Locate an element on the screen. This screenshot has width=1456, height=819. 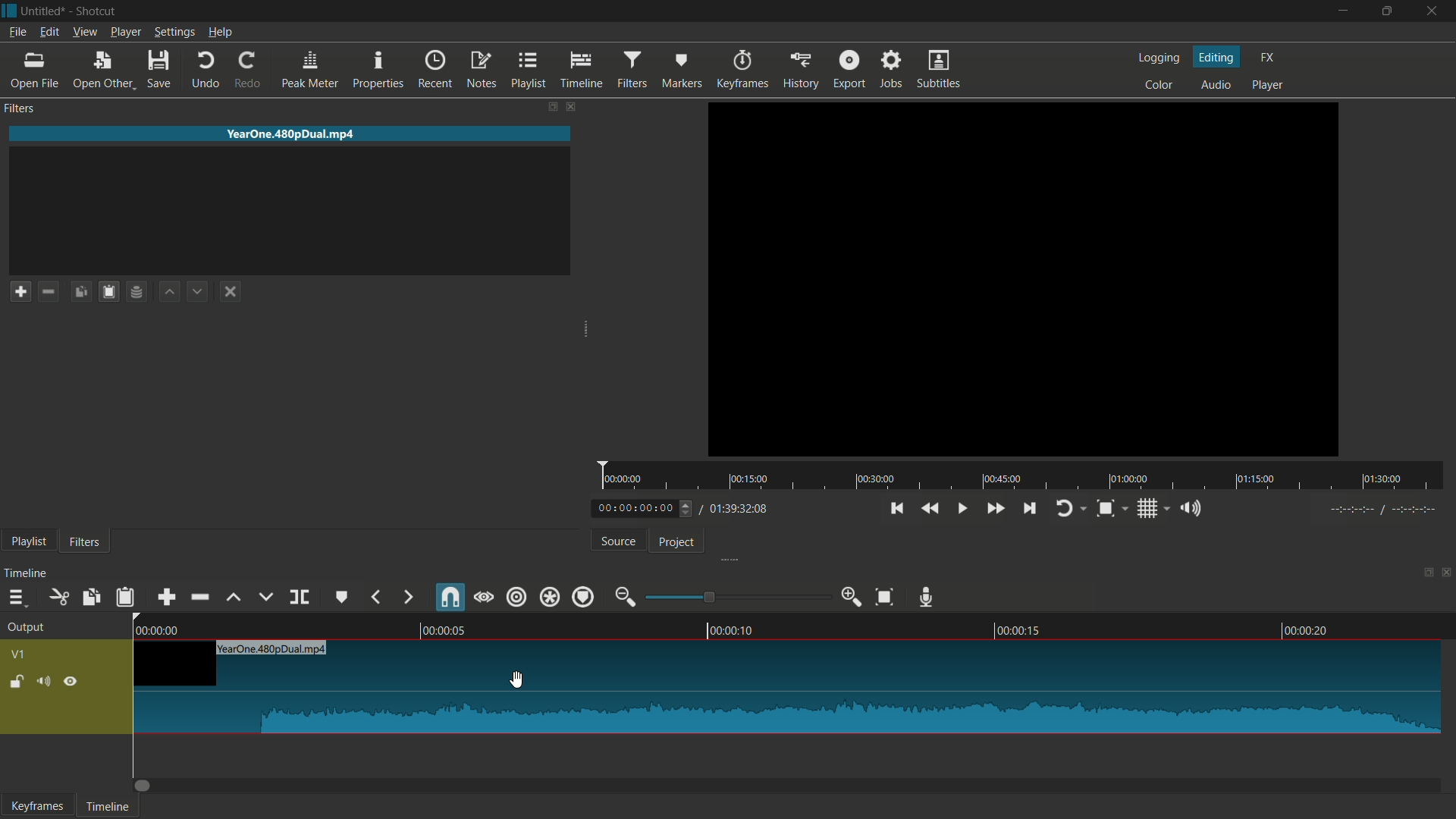
open other is located at coordinates (103, 70).